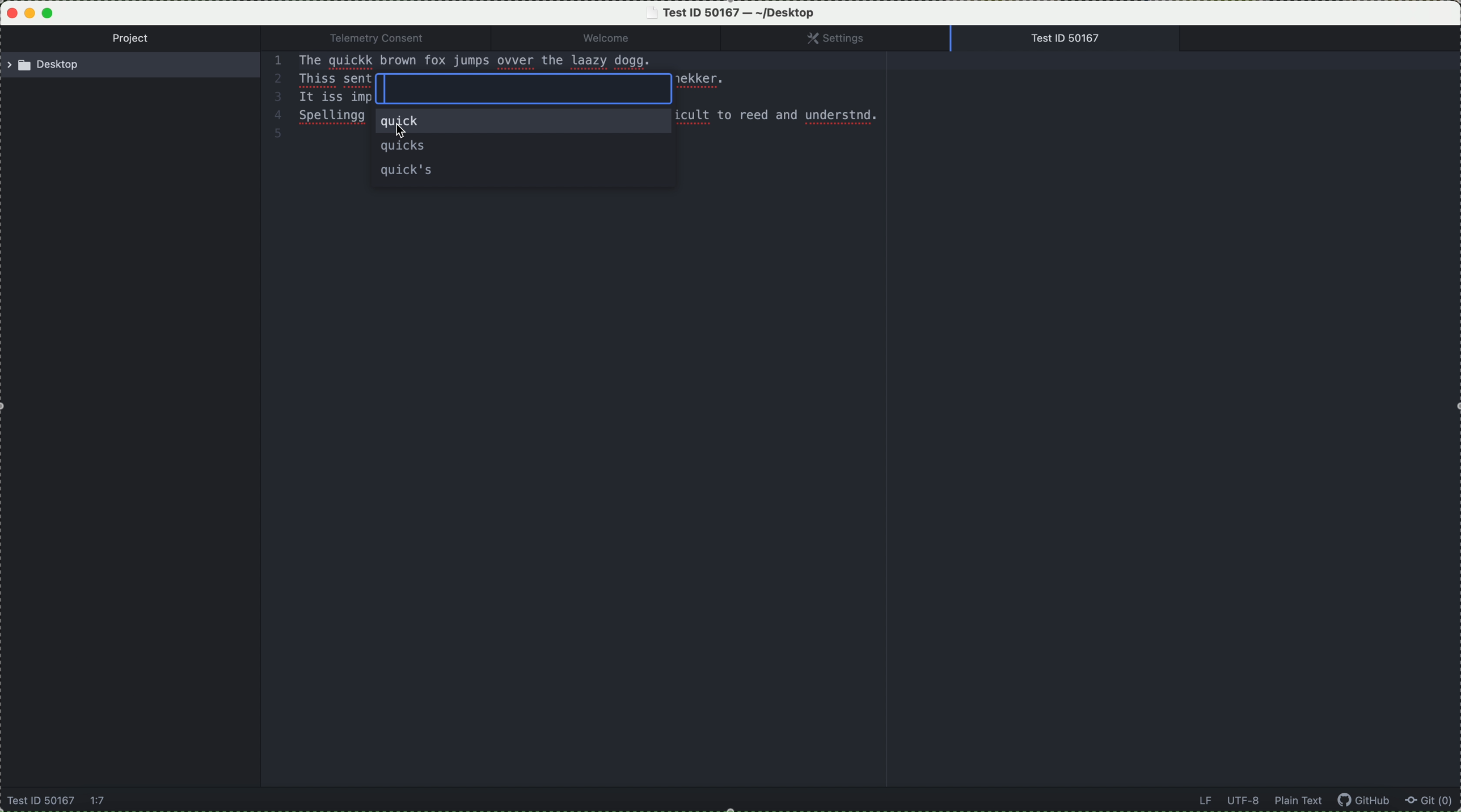  Describe the element at coordinates (1433, 802) in the screenshot. I see `Git (0)` at that location.